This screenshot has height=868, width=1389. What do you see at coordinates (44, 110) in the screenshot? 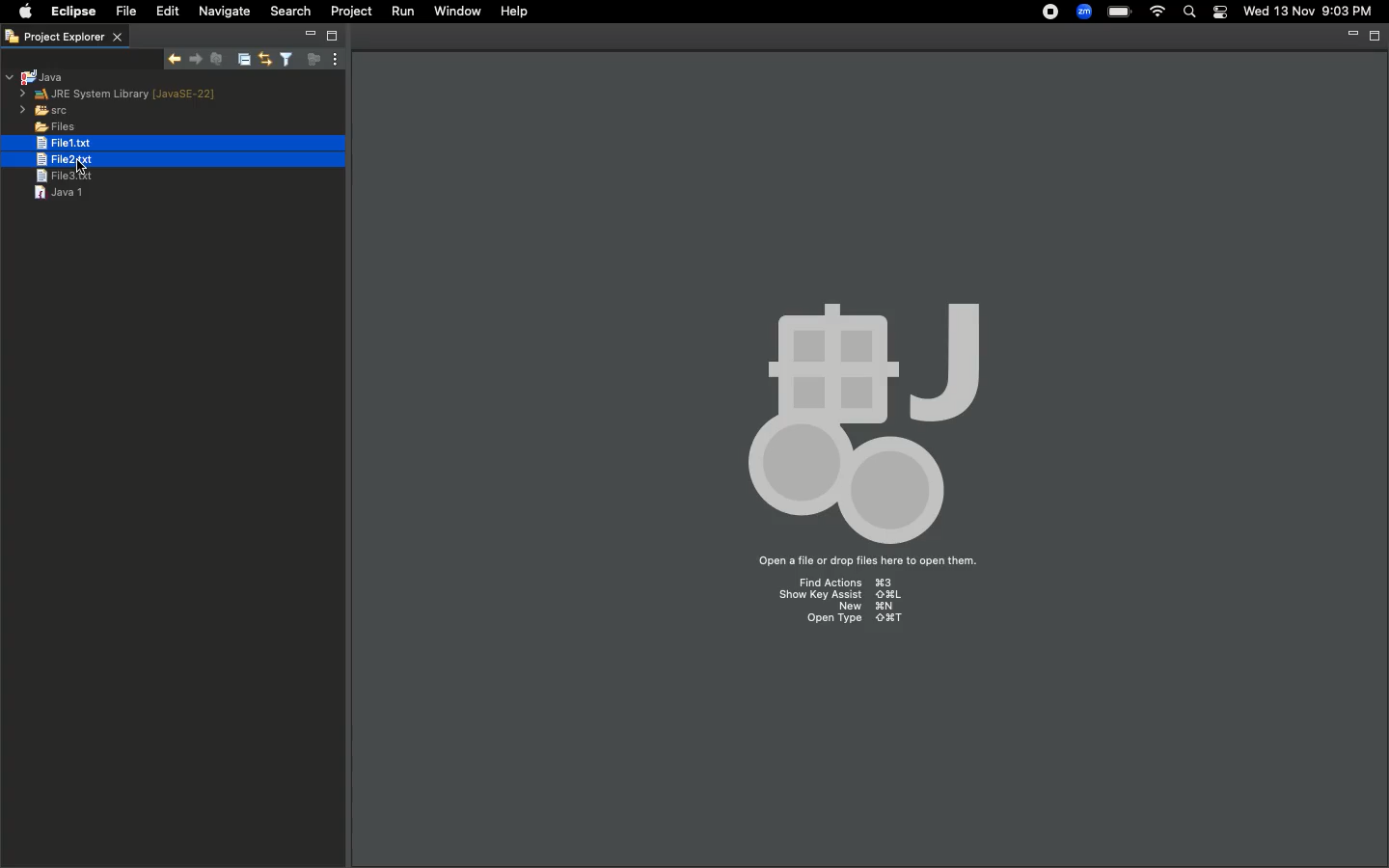
I see `src` at bounding box center [44, 110].